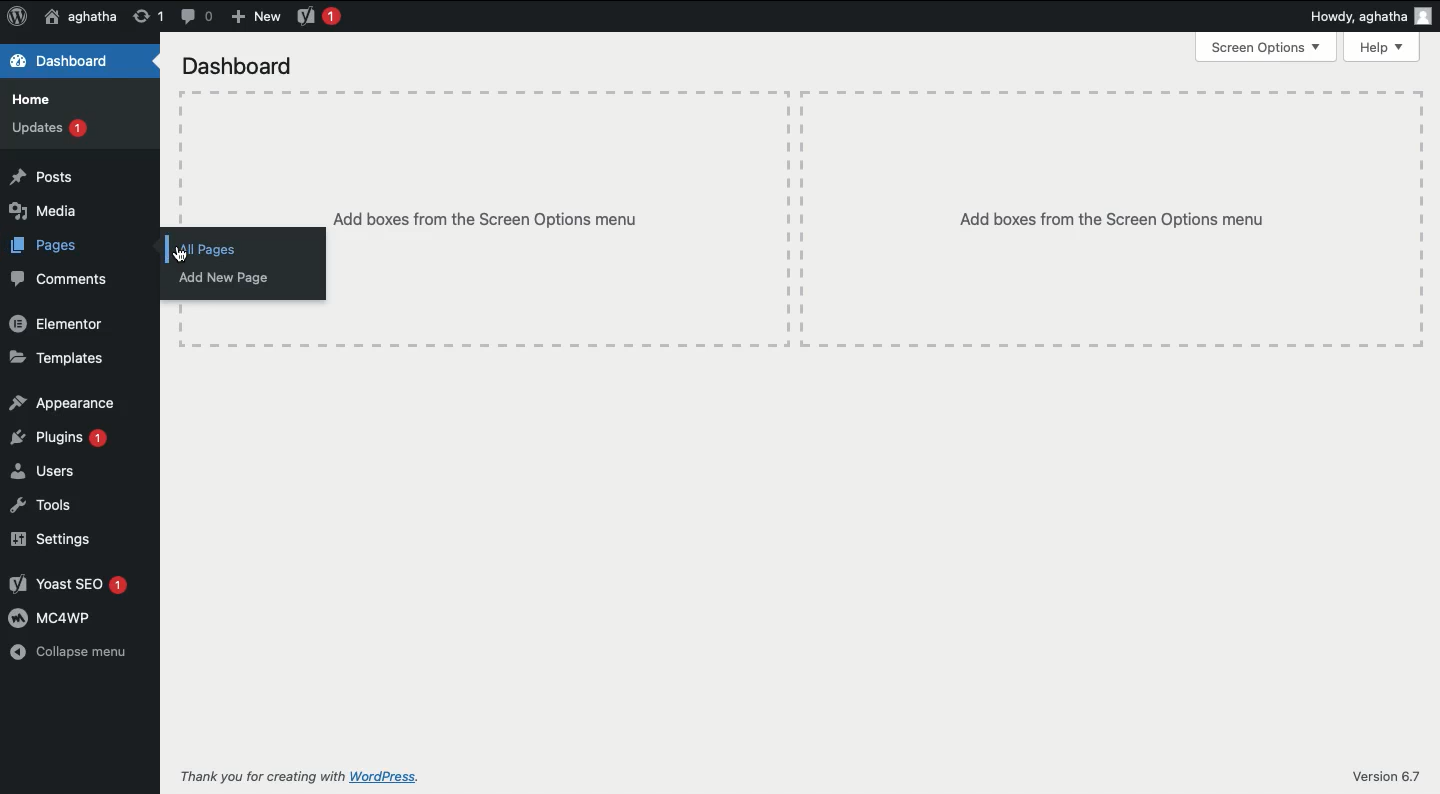 The height and width of the screenshot is (794, 1440). Describe the element at coordinates (256, 16) in the screenshot. I see `New` at that location.